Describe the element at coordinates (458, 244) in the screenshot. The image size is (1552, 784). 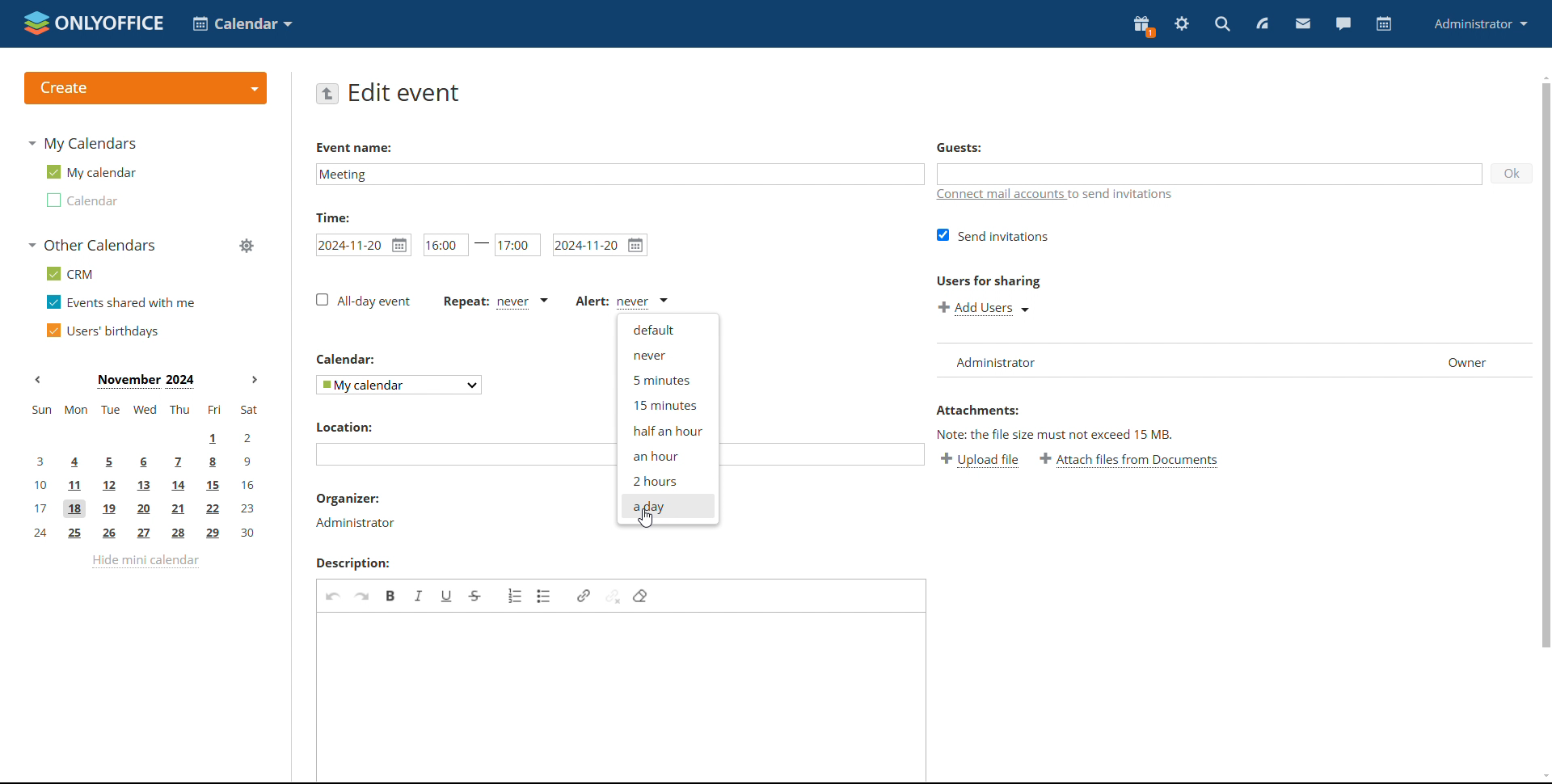
I see `start time` at that location.